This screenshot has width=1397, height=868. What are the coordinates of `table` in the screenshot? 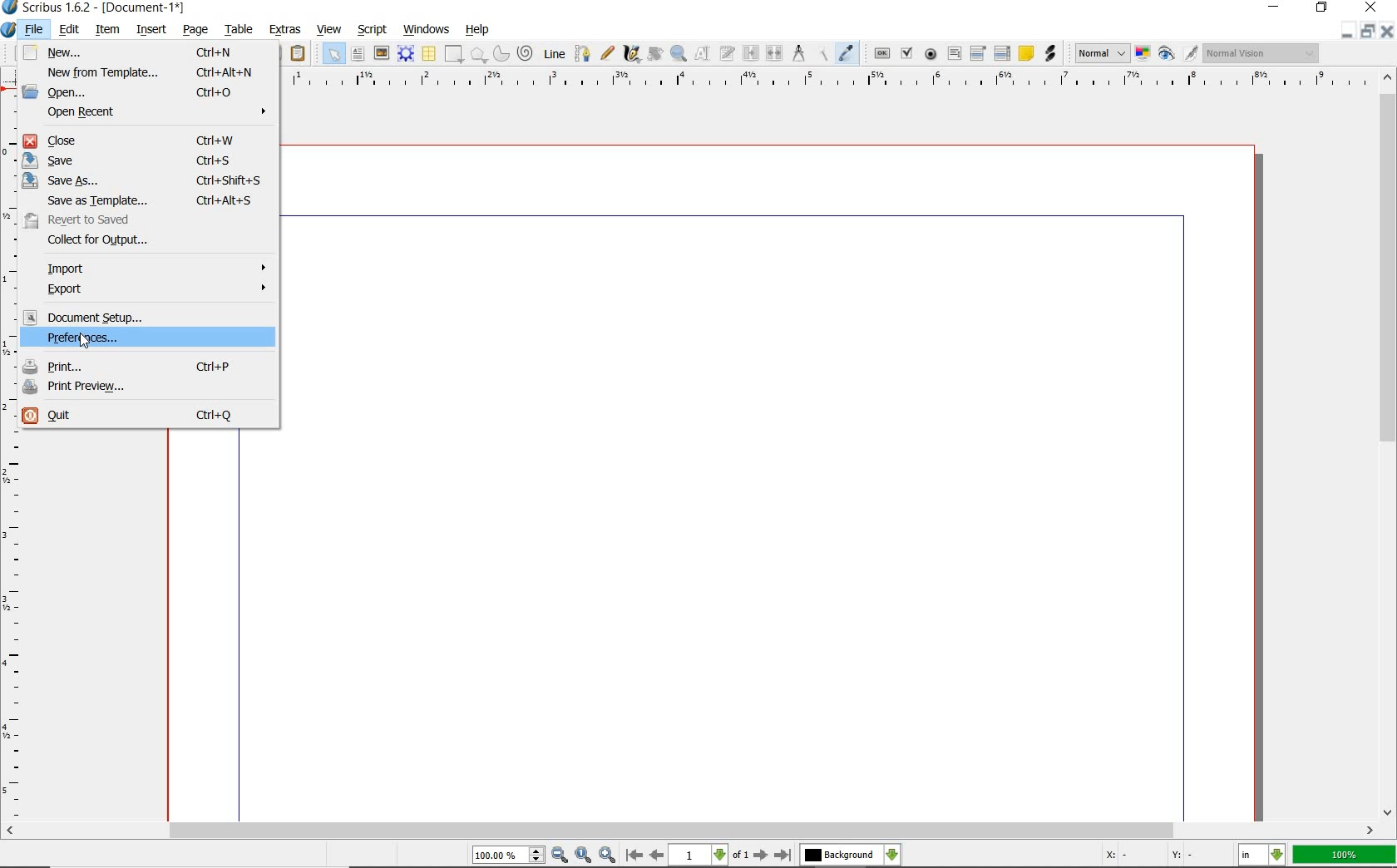 It's located at (241, 28).